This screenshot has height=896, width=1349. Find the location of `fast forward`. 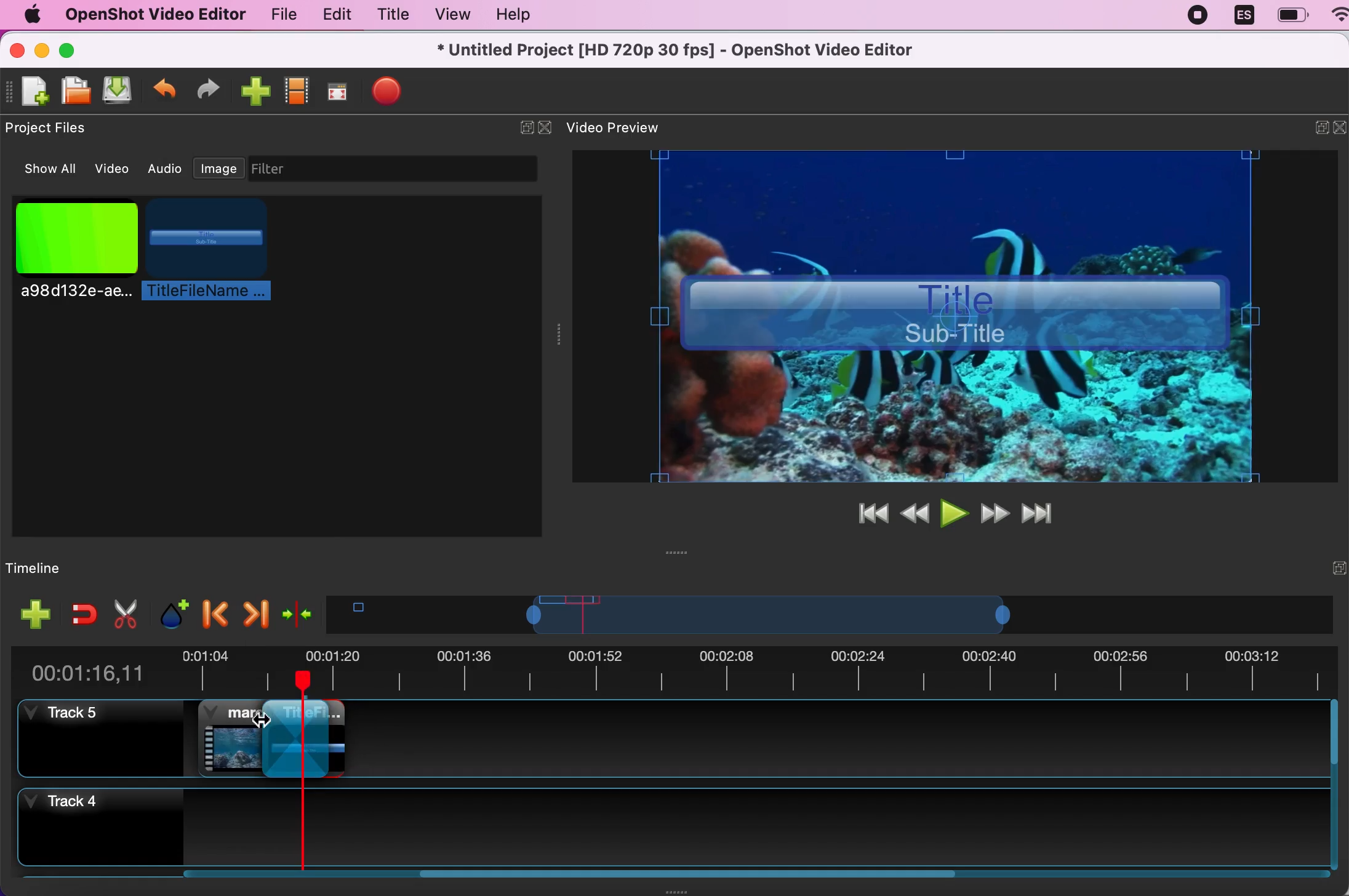

fast forward is located at coordinates (995, 513).